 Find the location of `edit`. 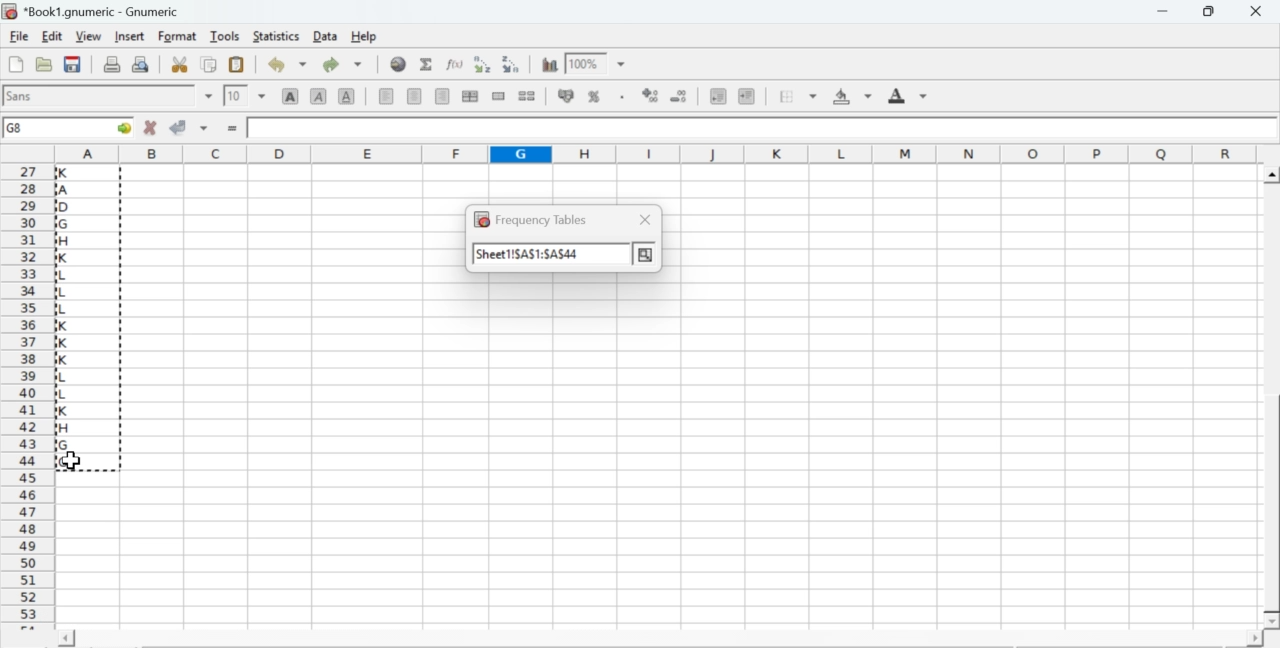

edit is located at coordinates (52, 36).